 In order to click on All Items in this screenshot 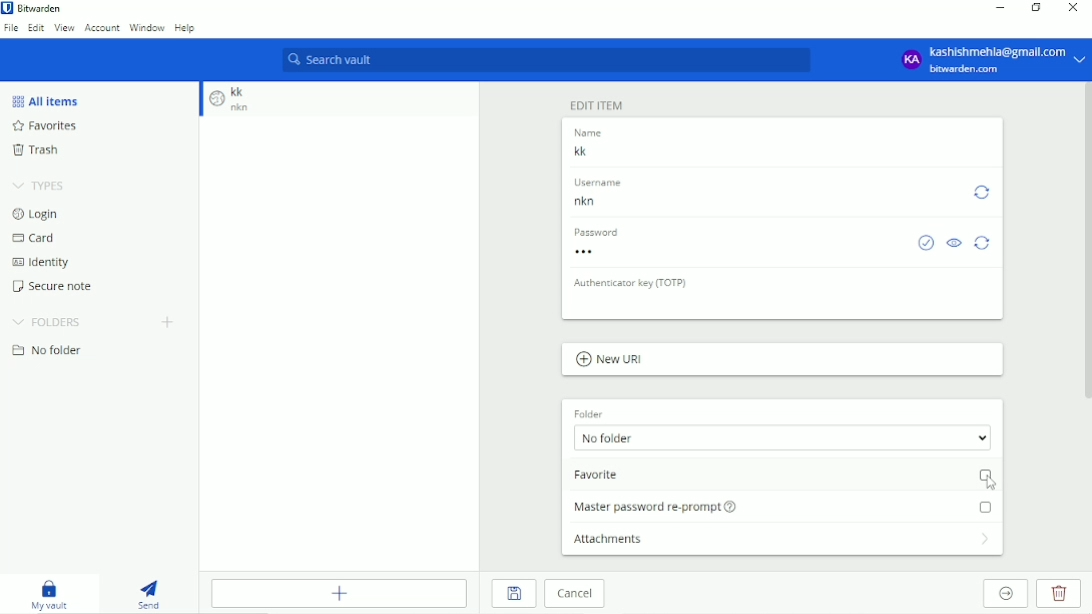, I will do `click(44, 101)`.